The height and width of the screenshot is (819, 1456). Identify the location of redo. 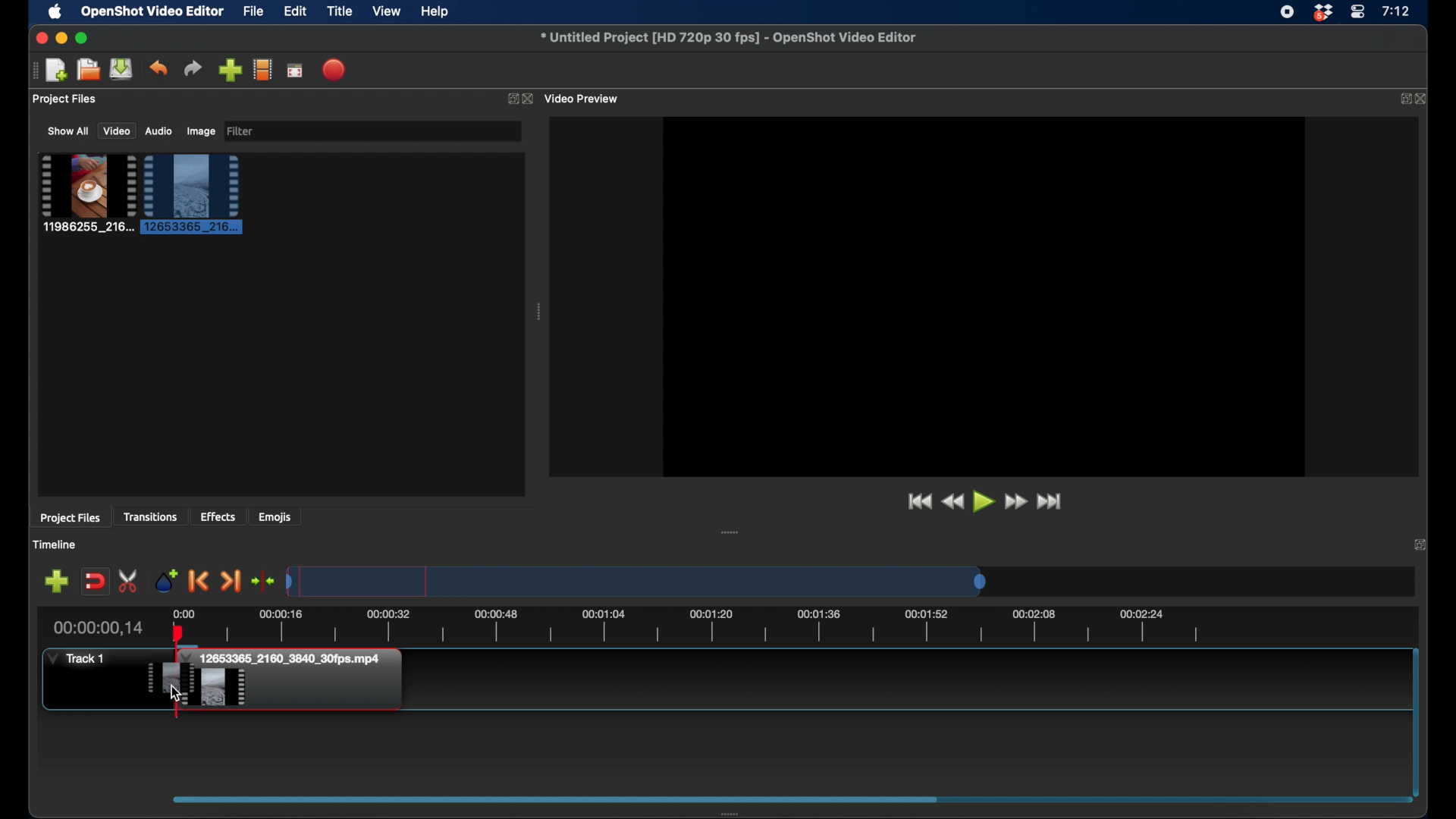
(193, 68).